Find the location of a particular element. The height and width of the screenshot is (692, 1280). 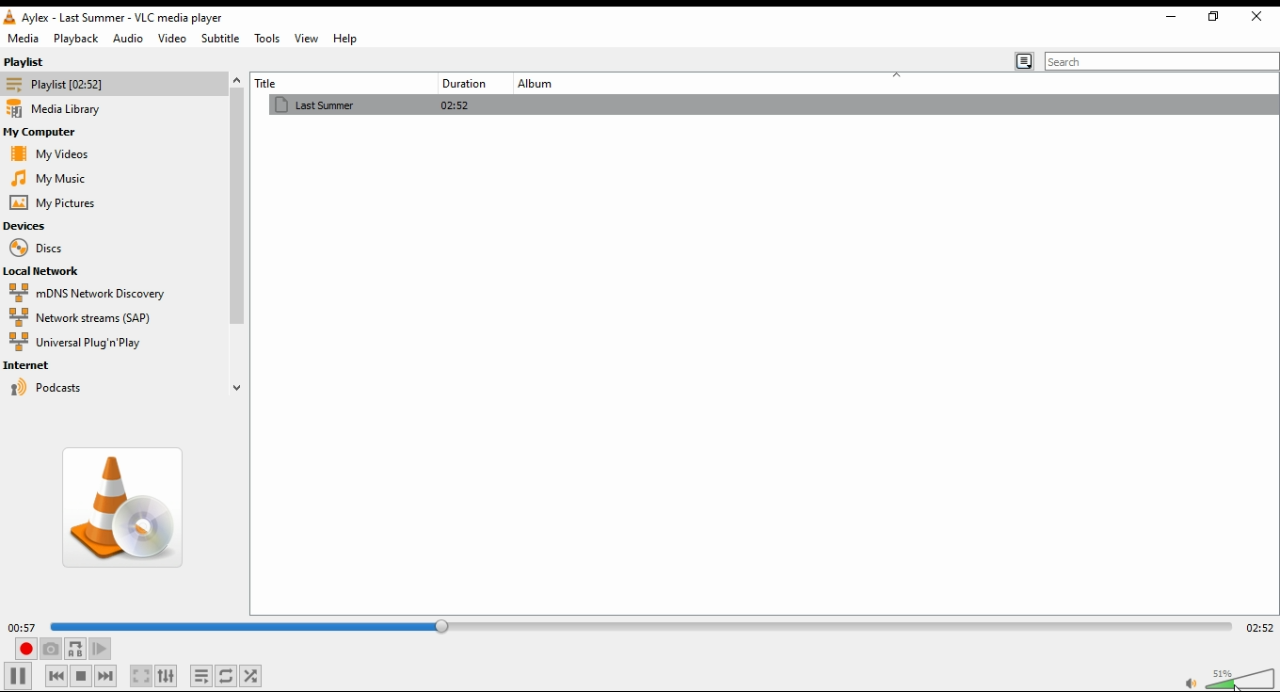

previous media in playlist, skips backward when held is located at coordinates (56, 676).